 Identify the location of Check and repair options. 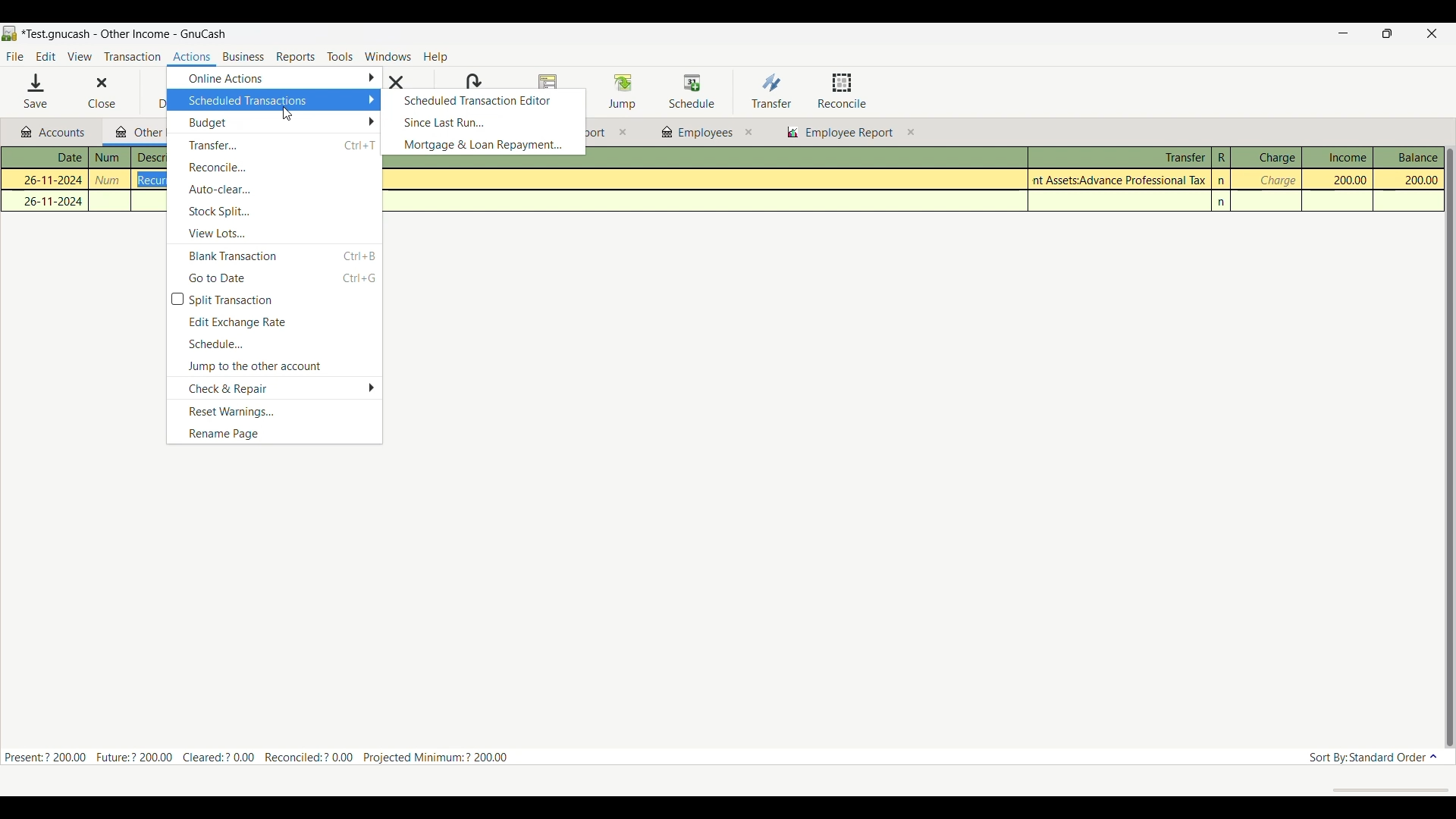
(275, 389).